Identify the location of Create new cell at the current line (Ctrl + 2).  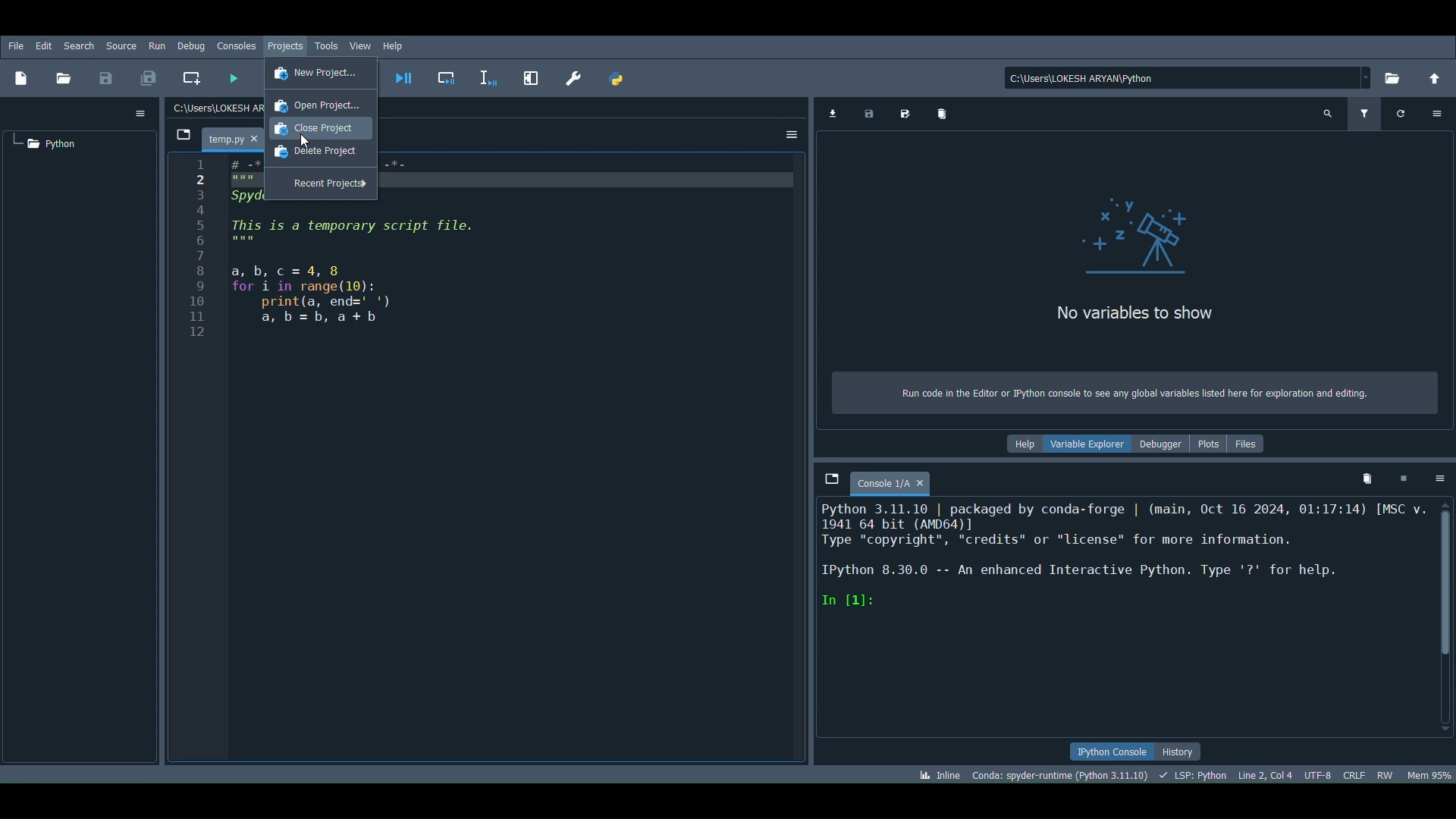
(190, 75).